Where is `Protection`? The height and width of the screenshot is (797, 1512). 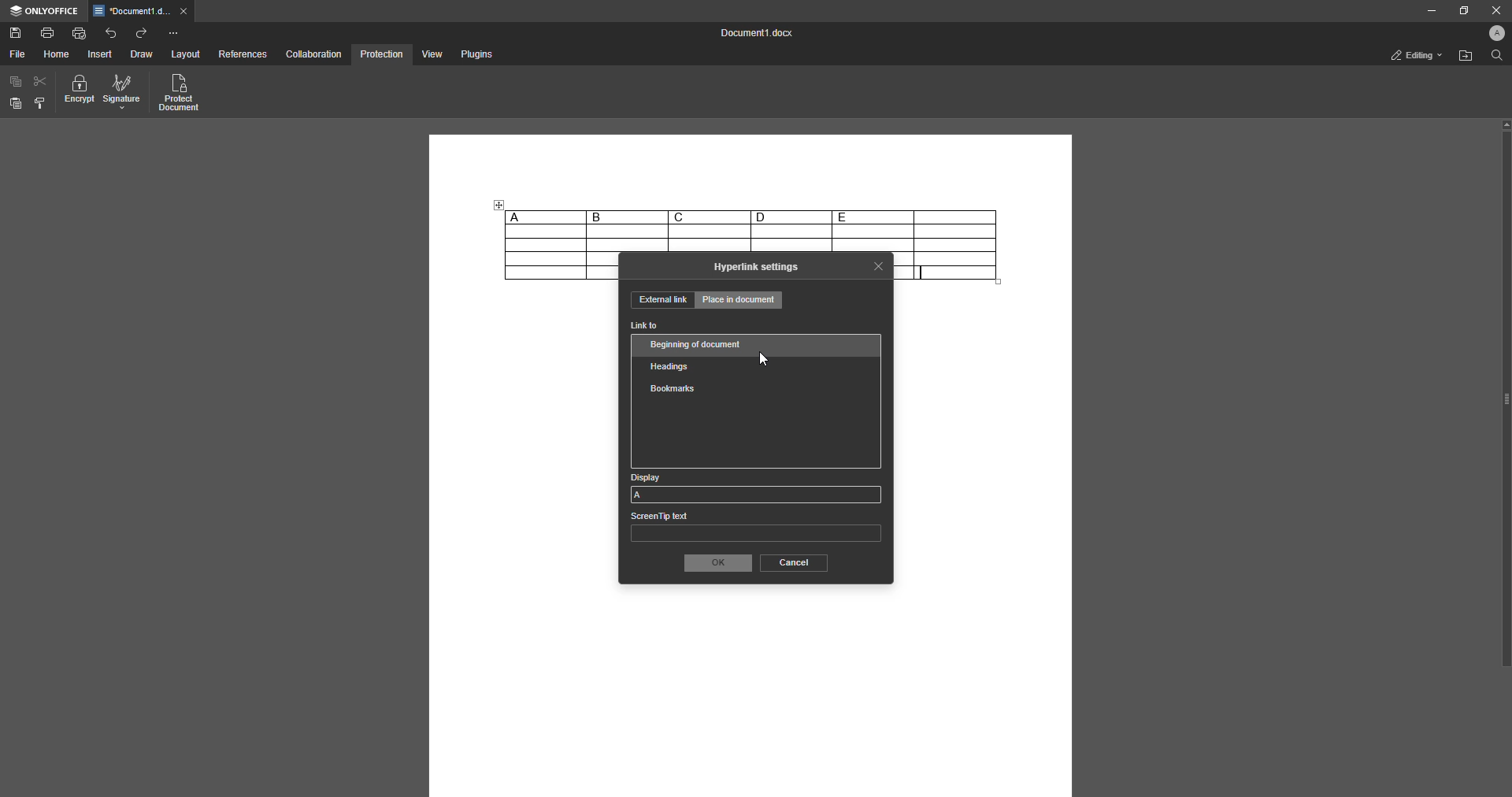
Protection is located at coordinates (381, 54).